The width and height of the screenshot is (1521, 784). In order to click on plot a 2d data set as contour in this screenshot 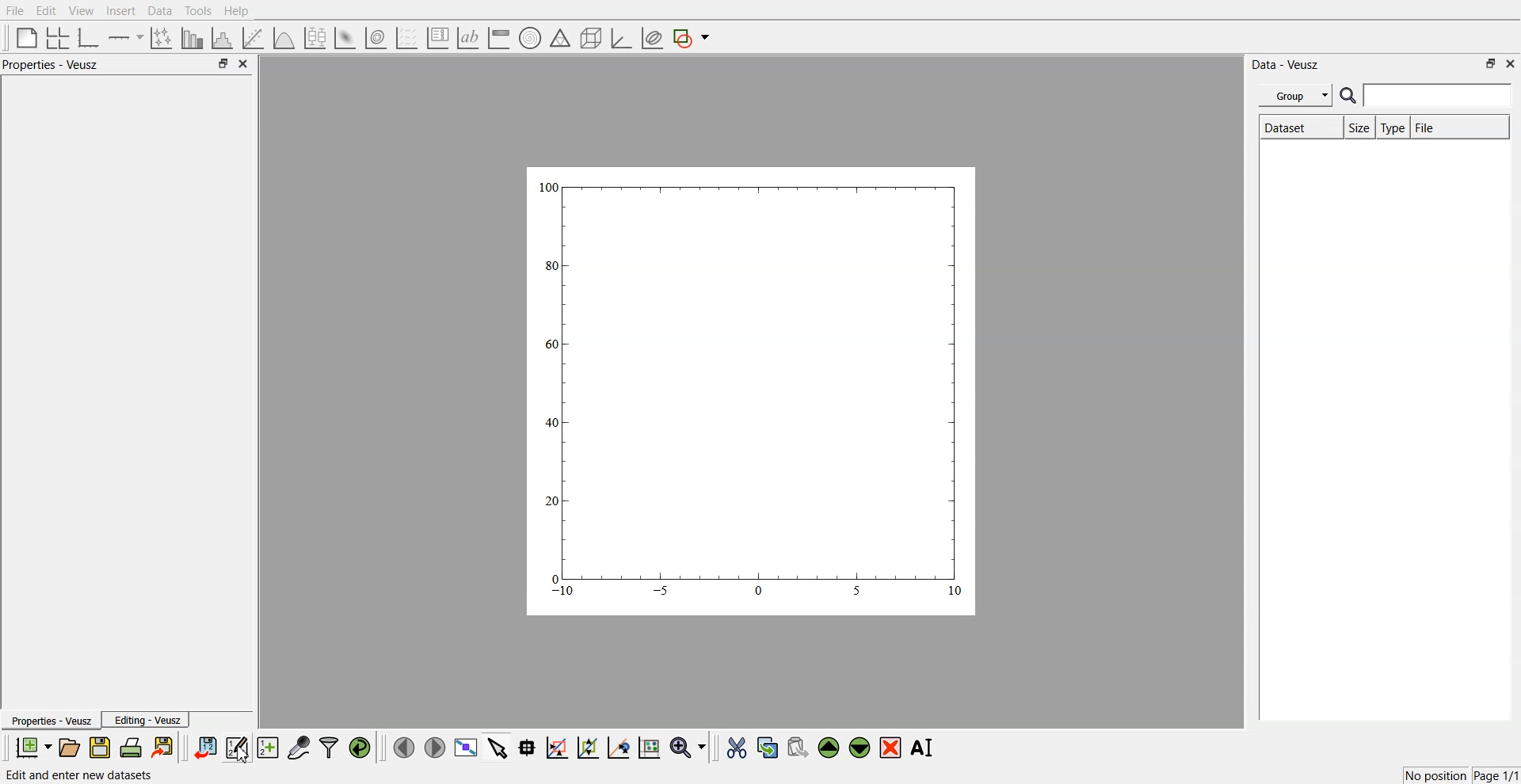, I will do `click(375, 39)`.